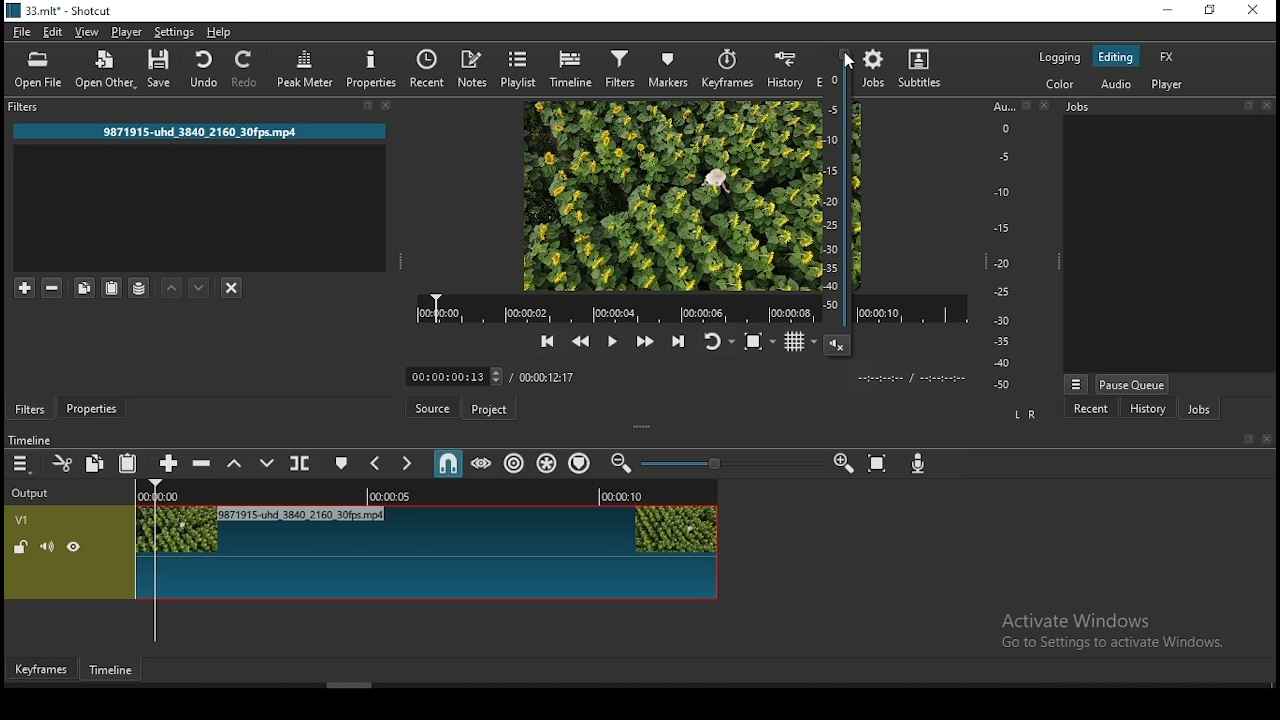 The width and height of the screenshot is (1280, 720). Describe the element at coordinates (26, 109) in the screenshot. I see `filters` at that location.